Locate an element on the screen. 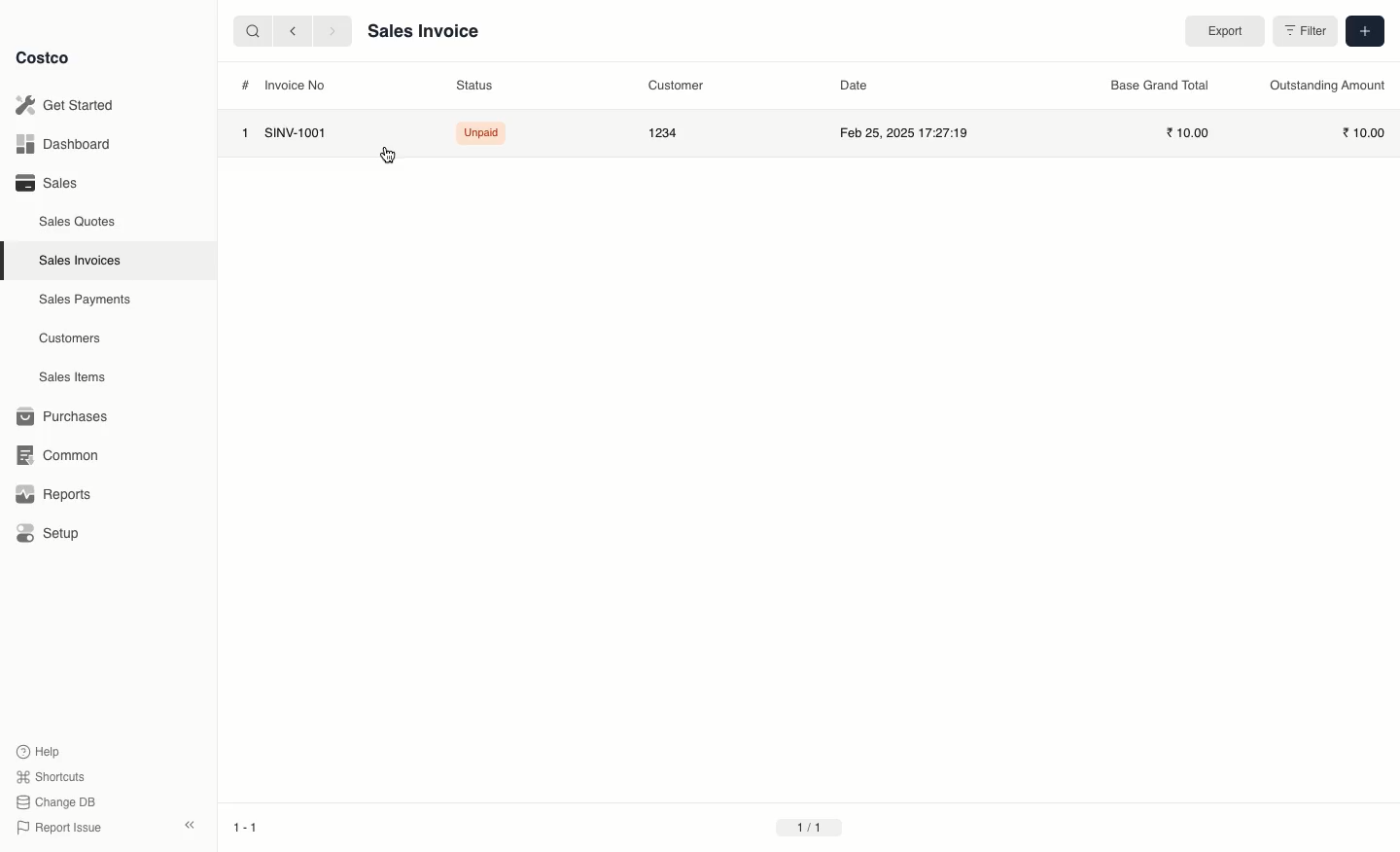 The height and width of the screenshot is (852, 1400). Get Started is located at coordinates (72, 104).